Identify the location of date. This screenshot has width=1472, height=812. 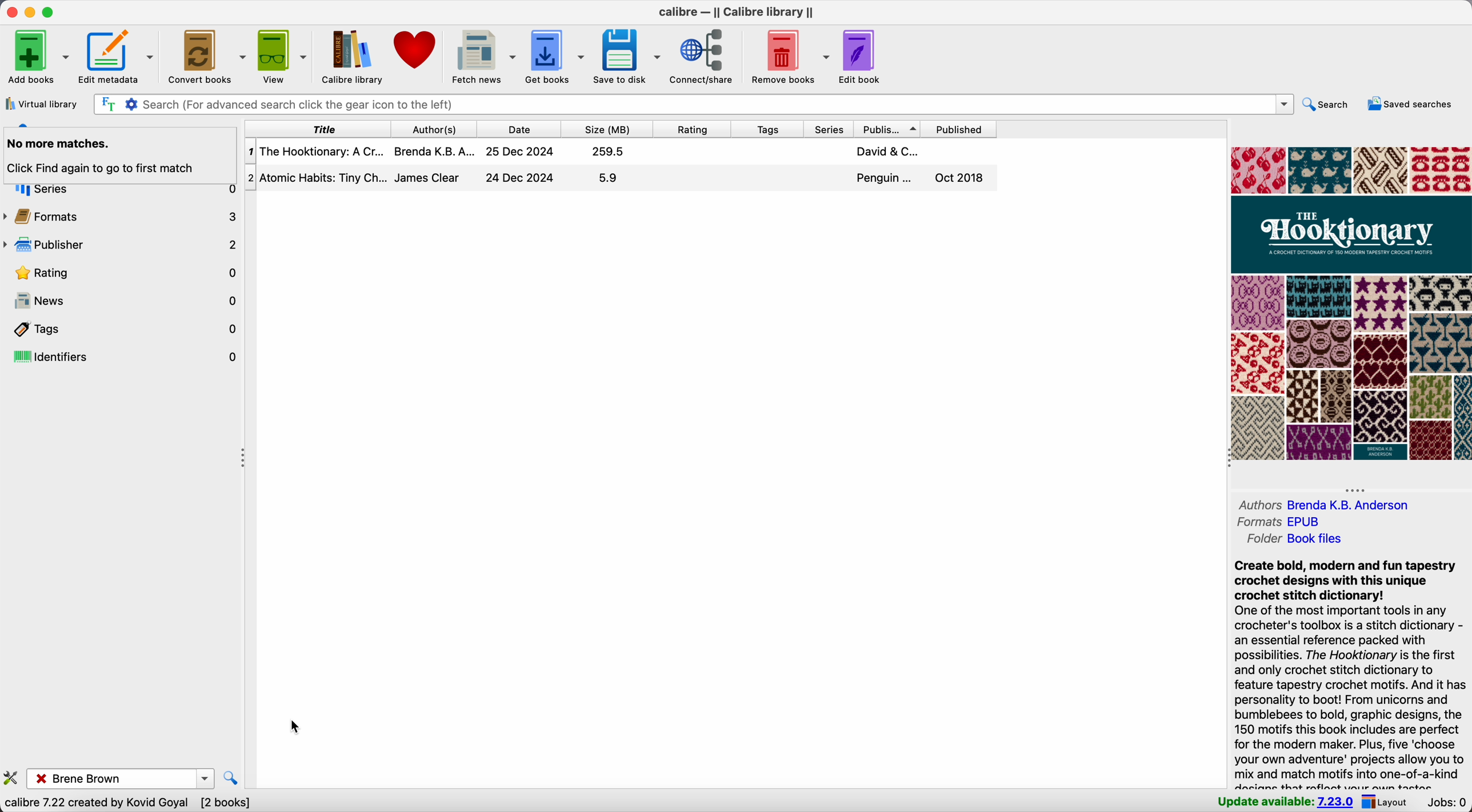
(525, 129).